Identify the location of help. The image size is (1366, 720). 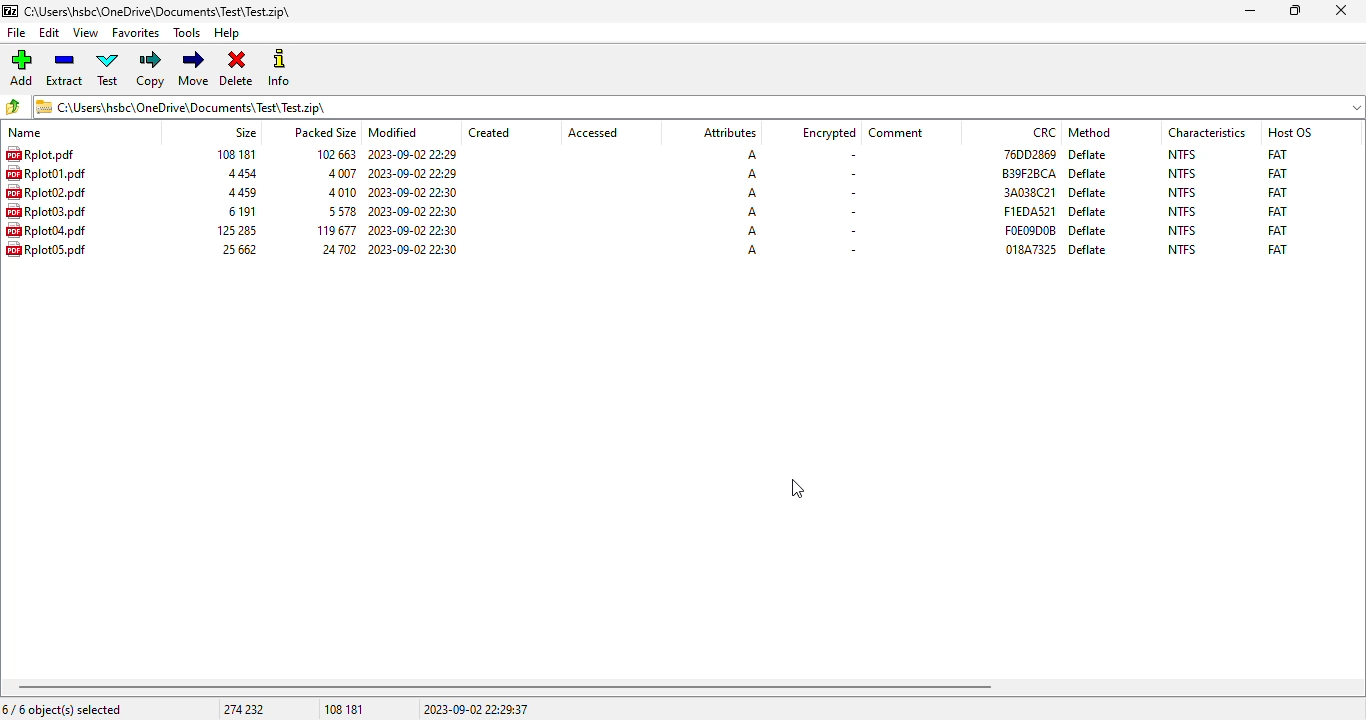
(227, 34).